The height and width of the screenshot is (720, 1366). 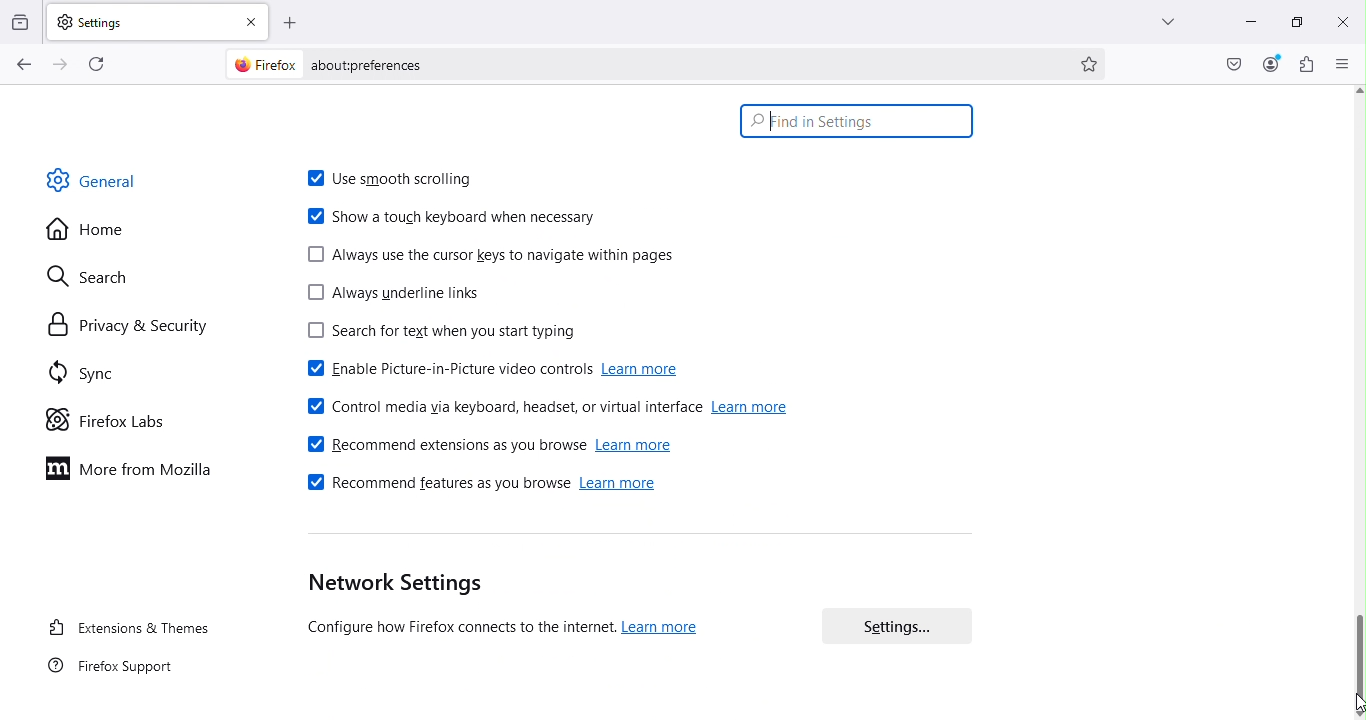 What do you see at coordinates (1339, 20) in the screenshot?
I see `close` at bounding box center [1339, 20].